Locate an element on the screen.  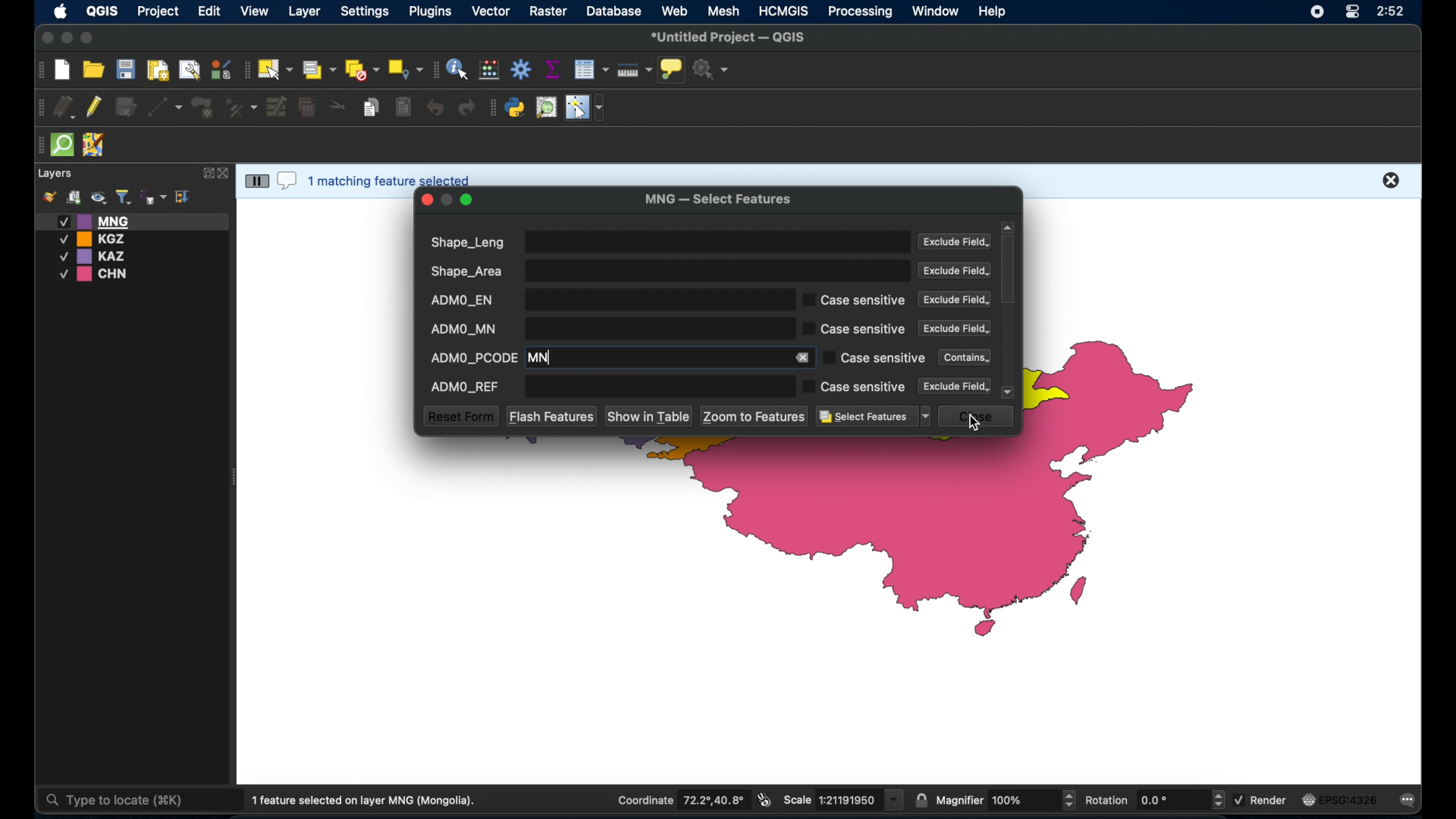
inactive minimize is located at coordinates (447, 199).